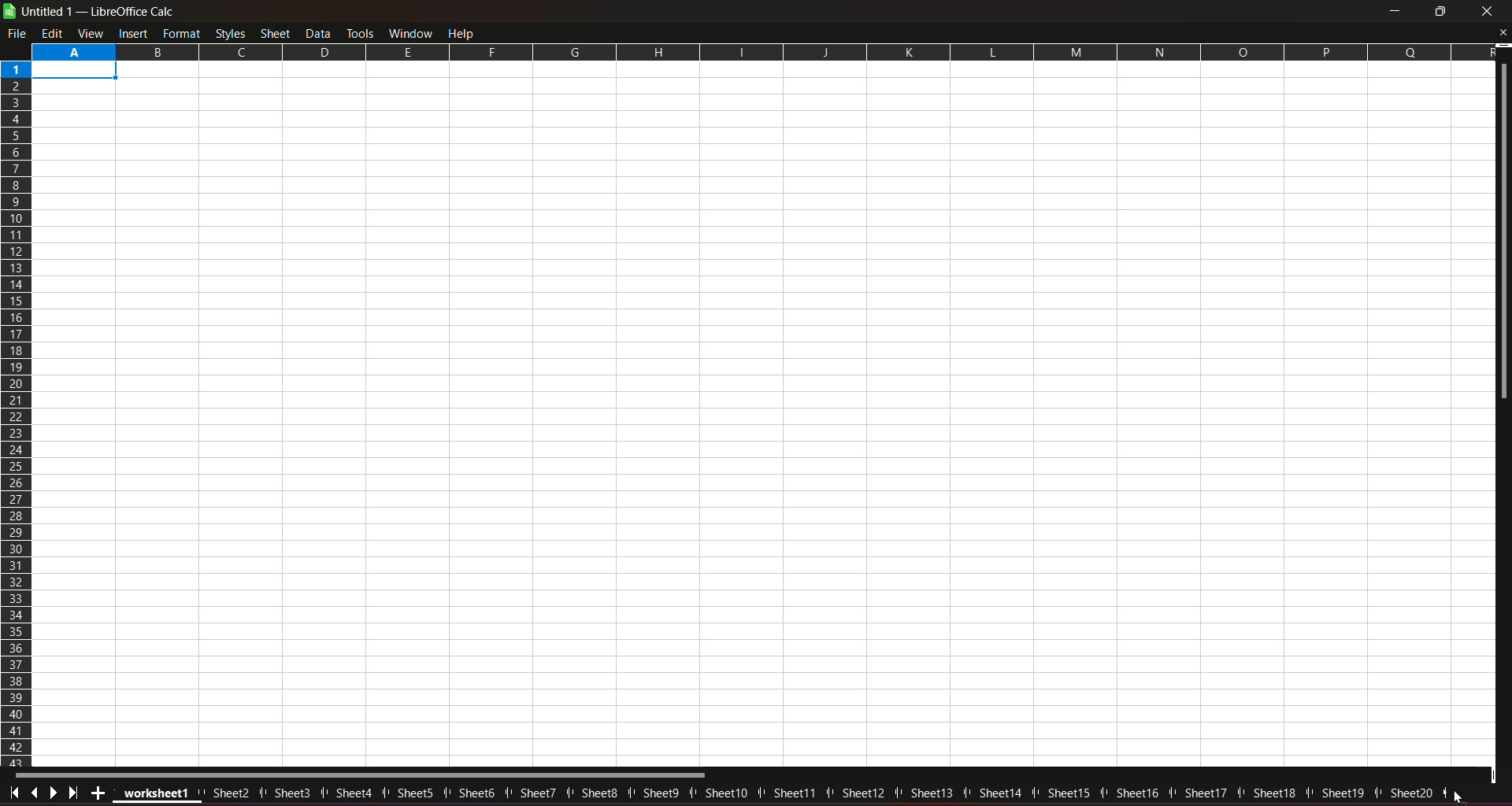 This screenshot has height=806, width=1512. Describe the element at coordinates (96, 793) in the screenshot. I see `Add` at that location.